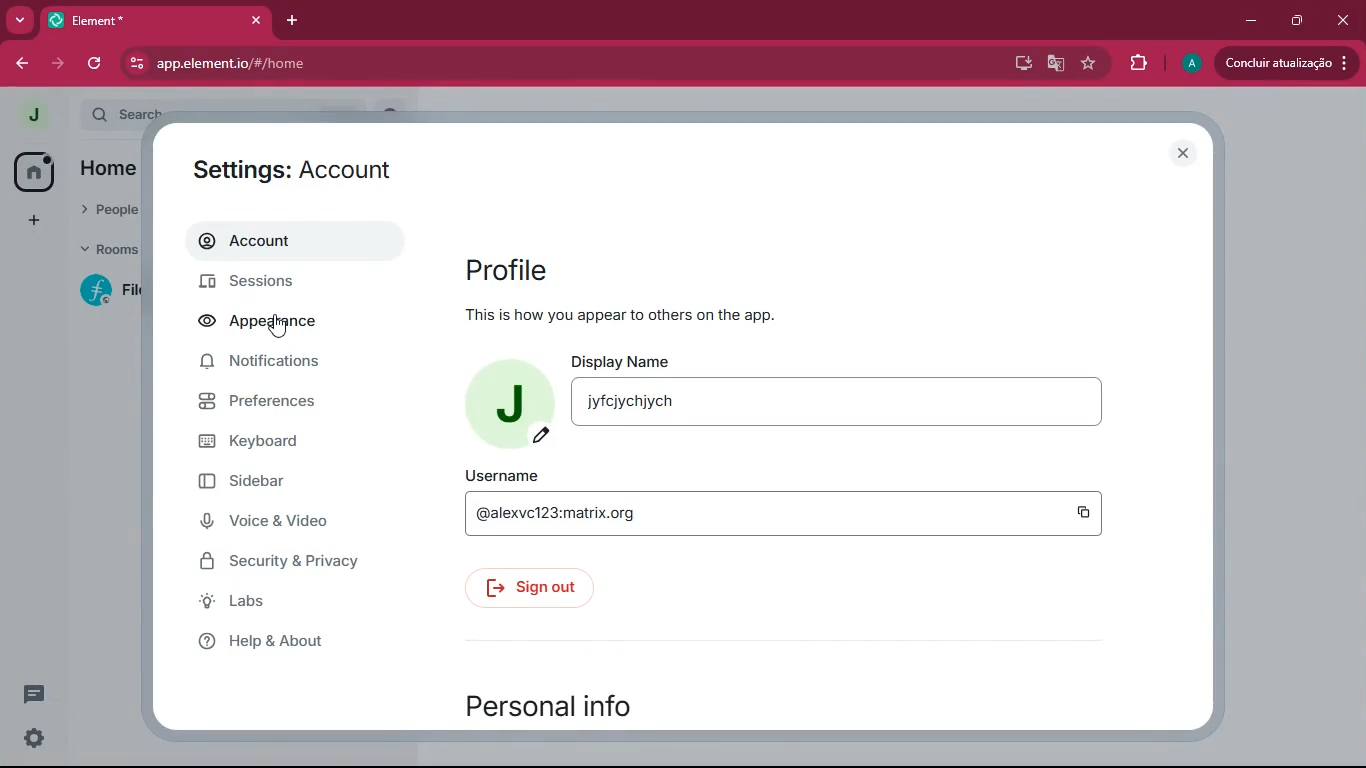 Image resolution: width=1366 pixels, height=768 pixels. What do you see at coordinates (96, 65) in the screenshot?
I see `refresh` at bounding box center [96, 65].